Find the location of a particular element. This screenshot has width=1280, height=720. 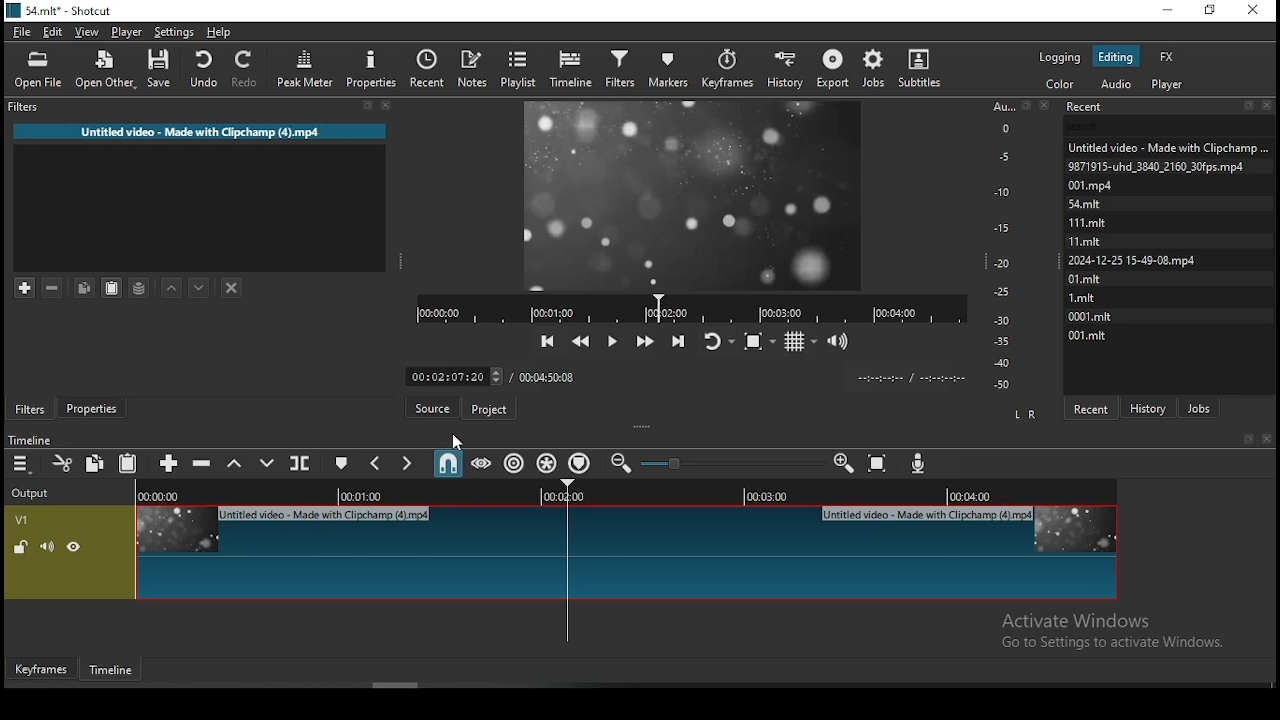

ripple all tracks is located at coordinates (548, 463).